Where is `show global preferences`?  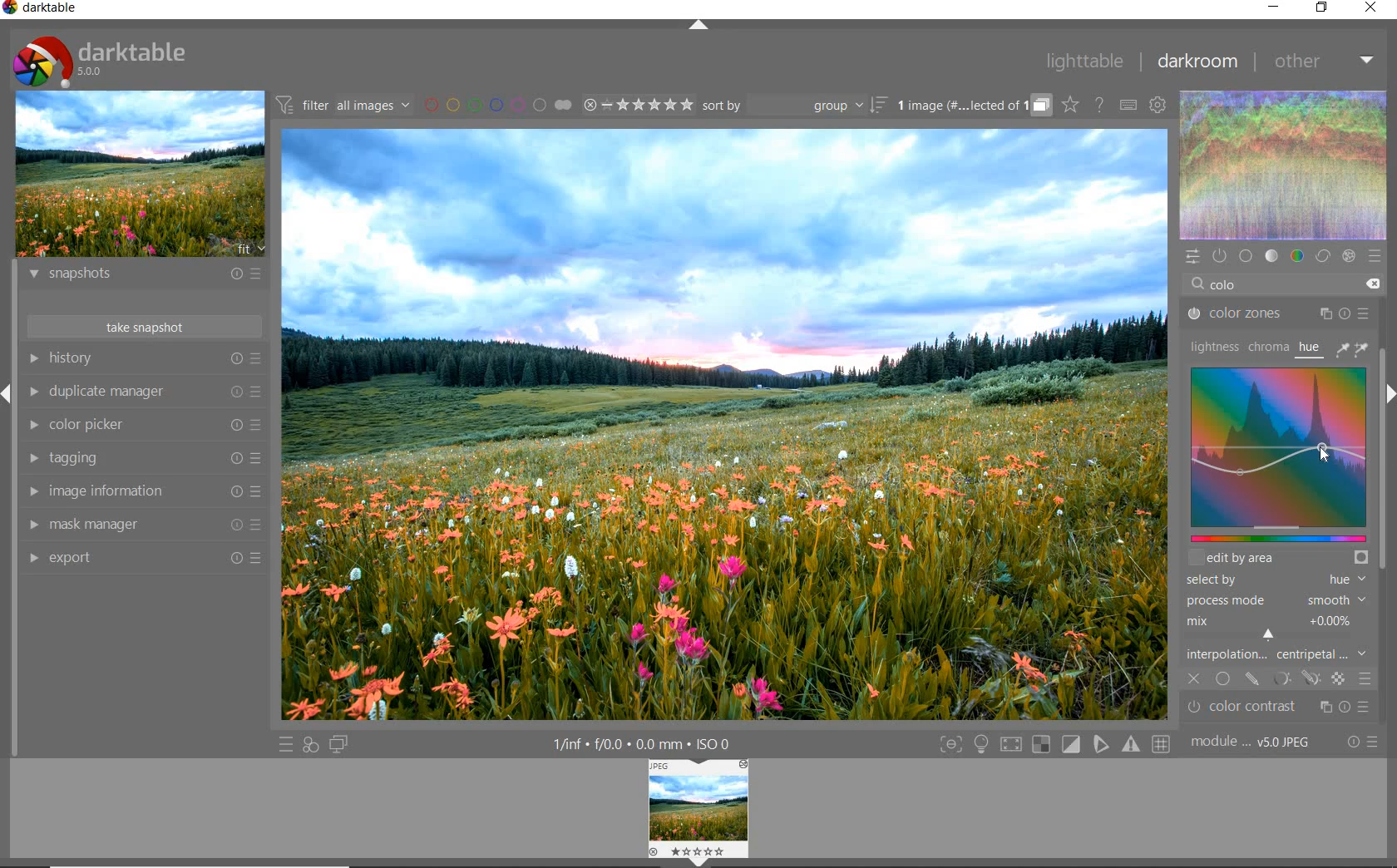
show global preferences is located at coordinates (1156, 105).